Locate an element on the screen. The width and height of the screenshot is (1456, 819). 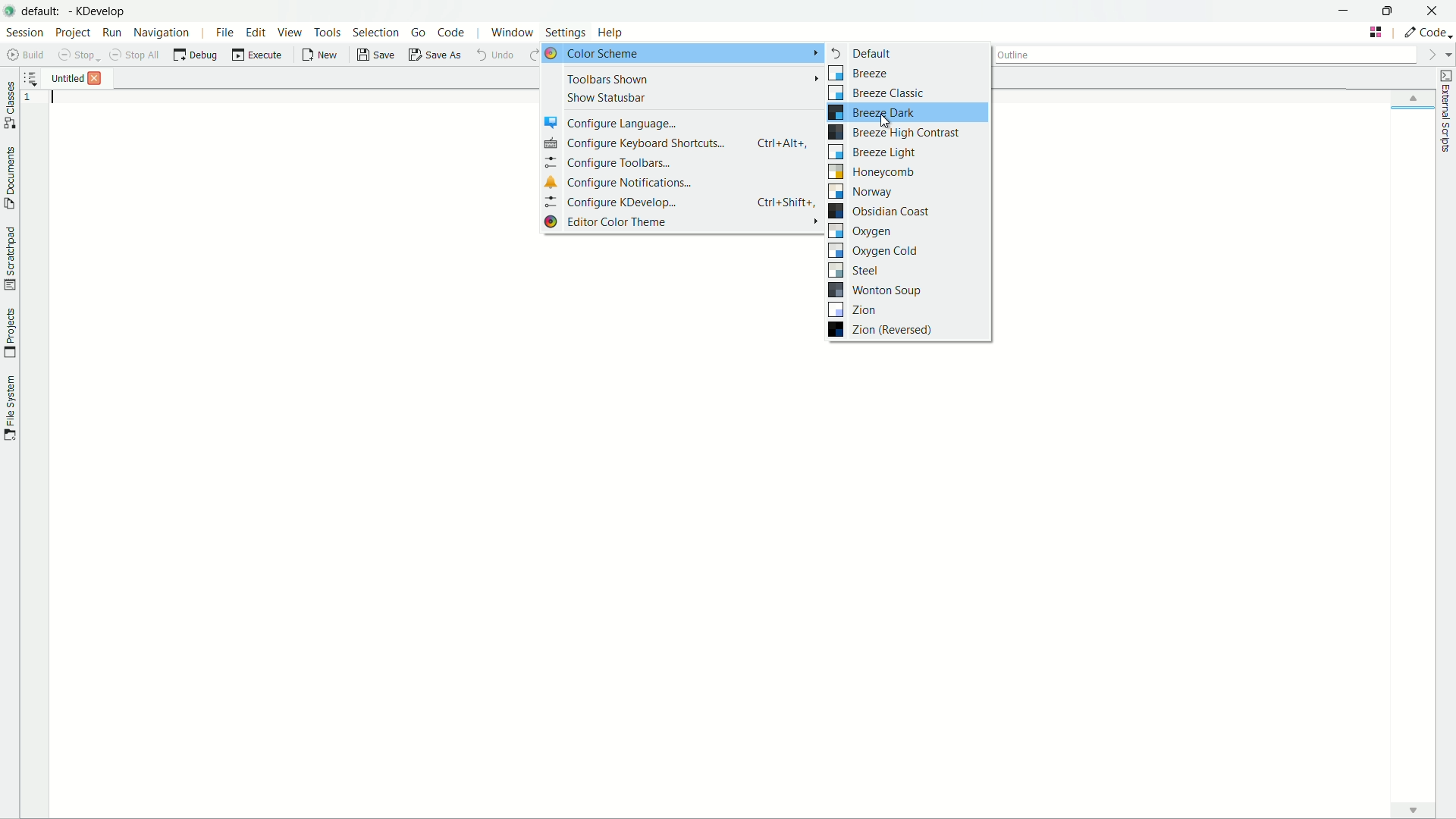
stop is located at coordinates (77, 55).